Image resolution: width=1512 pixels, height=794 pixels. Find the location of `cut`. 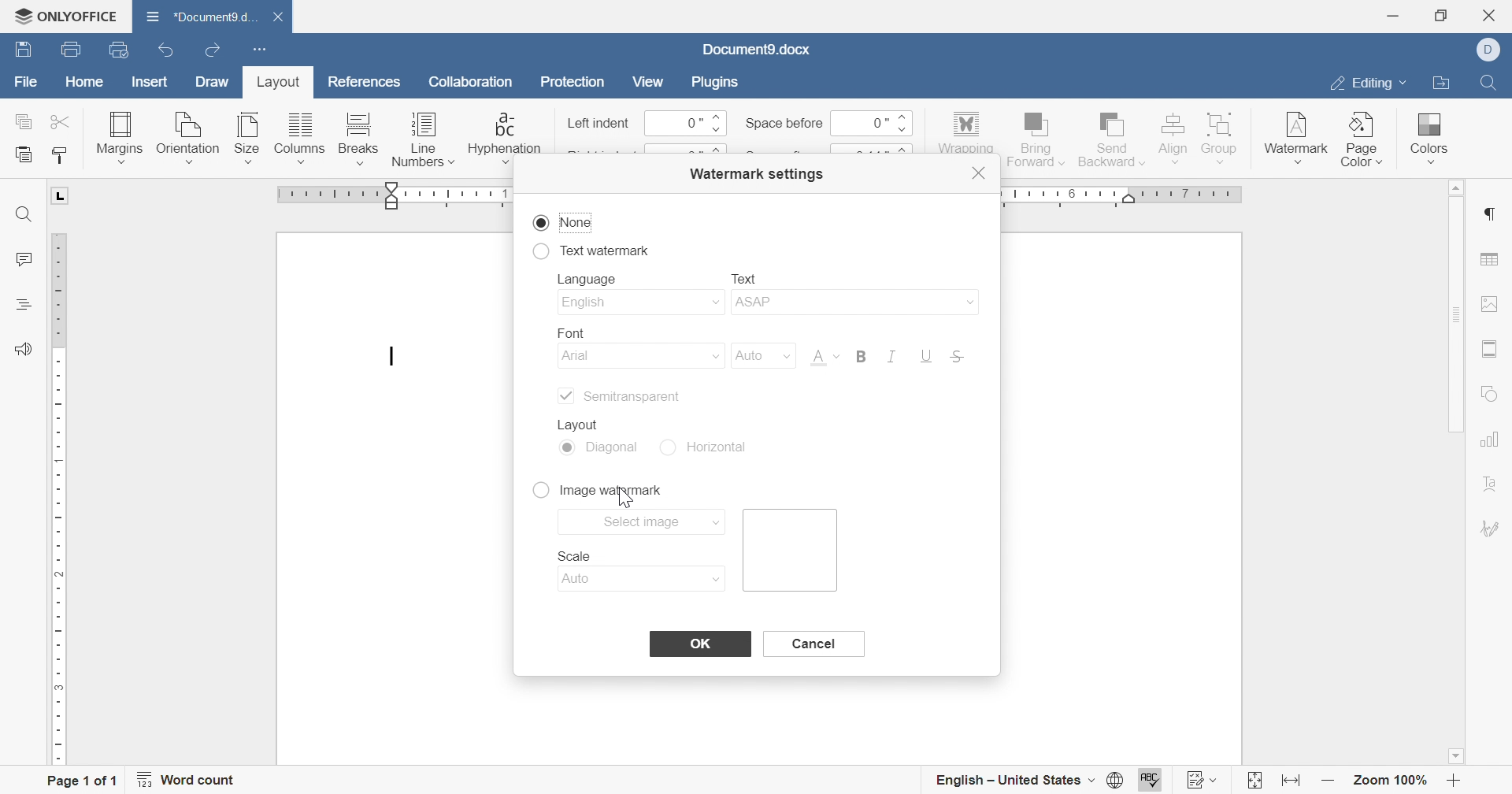

cut is located at coordinates (62, 121).